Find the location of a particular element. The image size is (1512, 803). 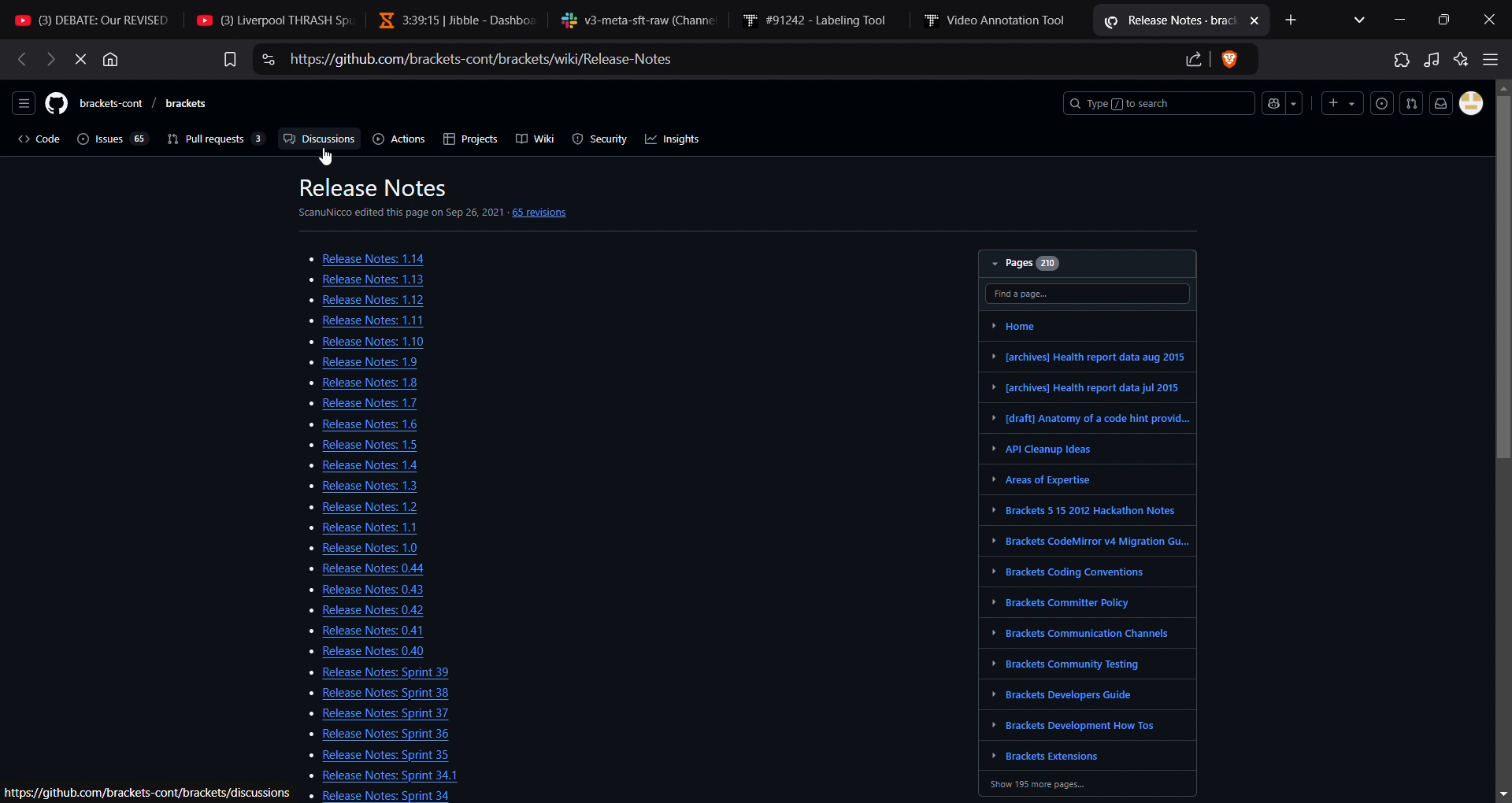

eo Release Notes: 1.4 is located at coordinates (338, 464).